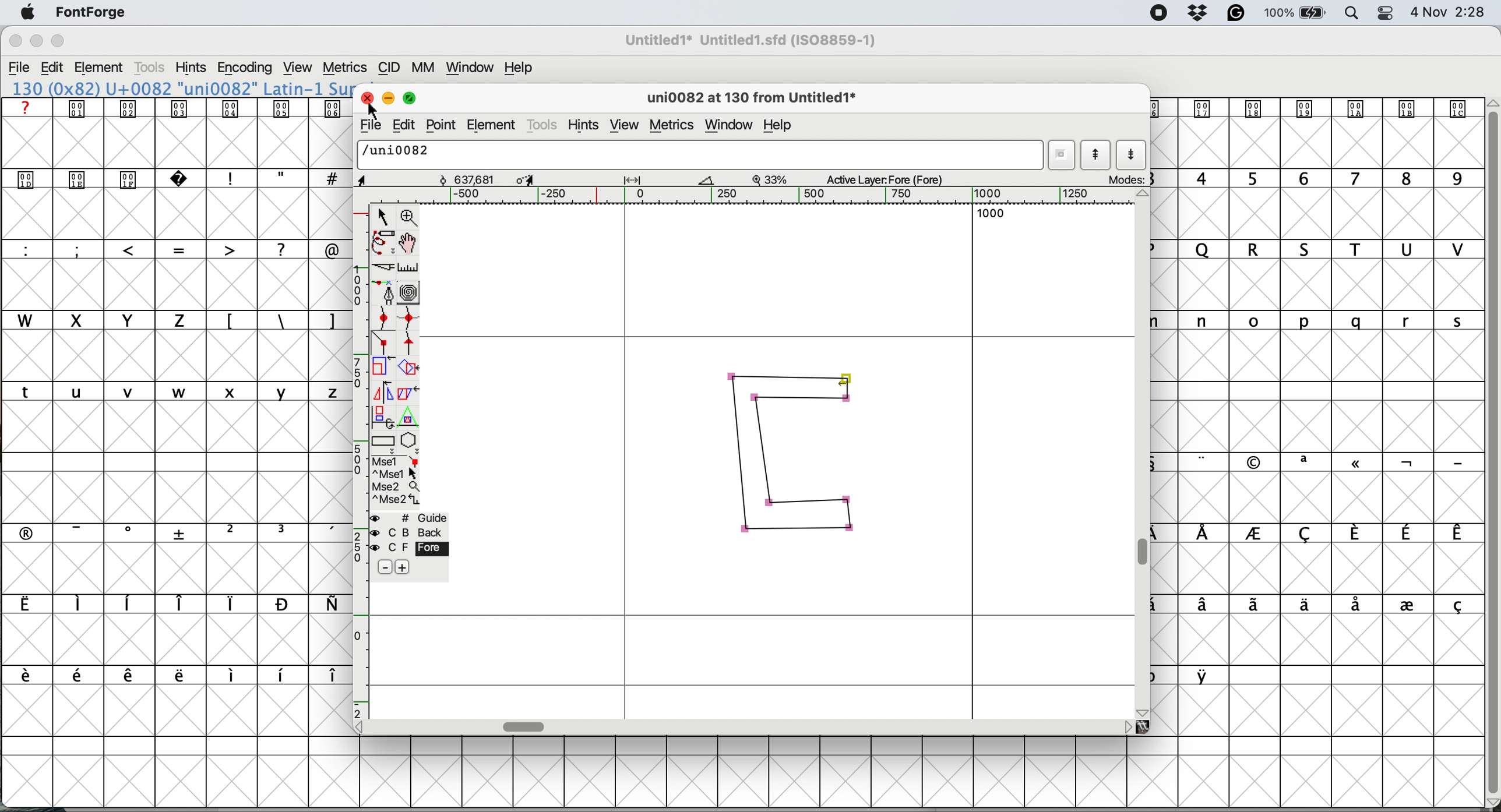  What do you see at coordinates (191, 67) in the screenshot?
I see `hints` at bounding box center [191, 67].